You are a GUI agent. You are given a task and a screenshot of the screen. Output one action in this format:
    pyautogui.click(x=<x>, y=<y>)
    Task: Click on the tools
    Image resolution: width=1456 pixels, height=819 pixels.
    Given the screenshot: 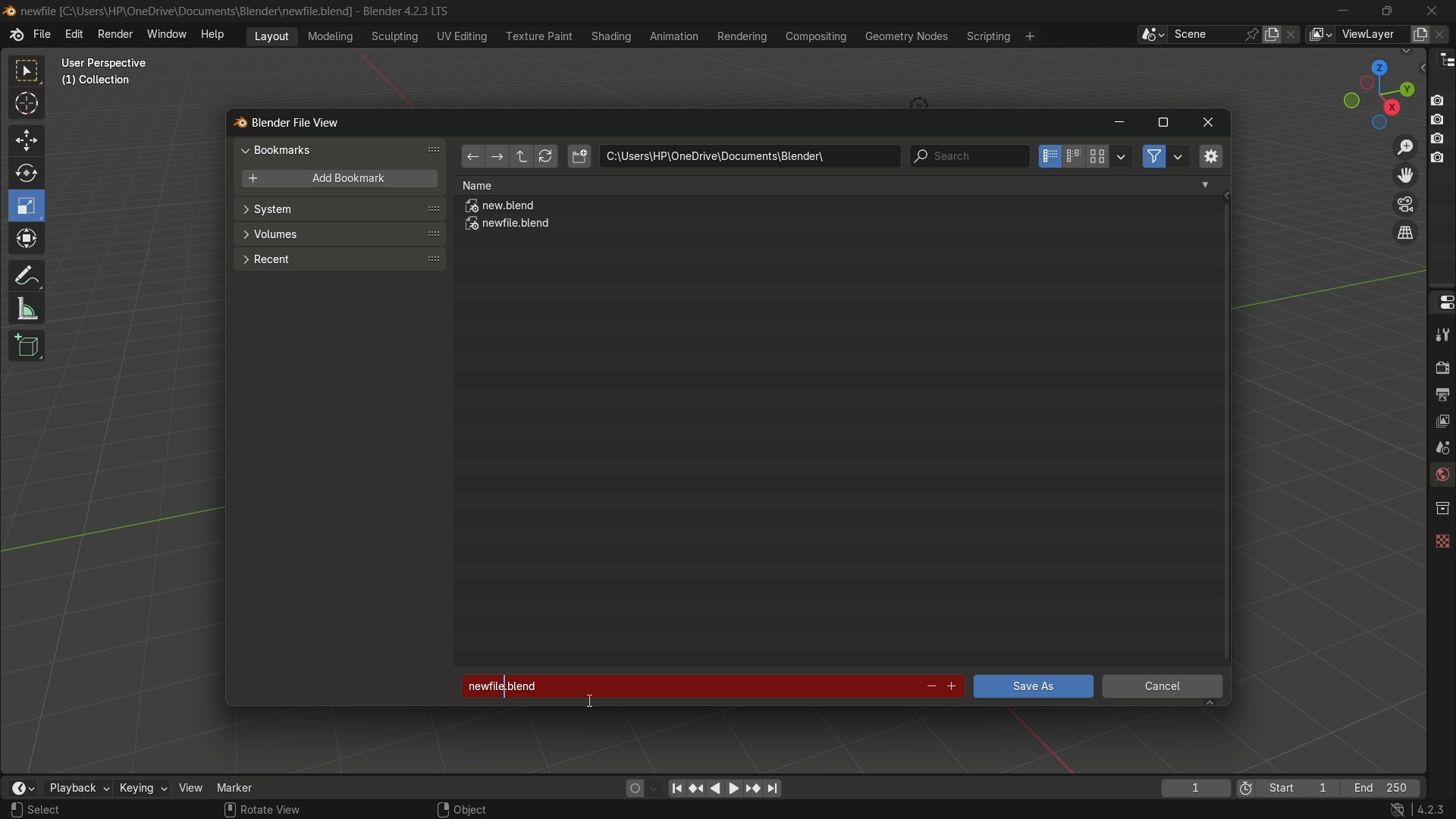 What is the action you would take?
    pyautogui.click(x=1441, y=334)
    